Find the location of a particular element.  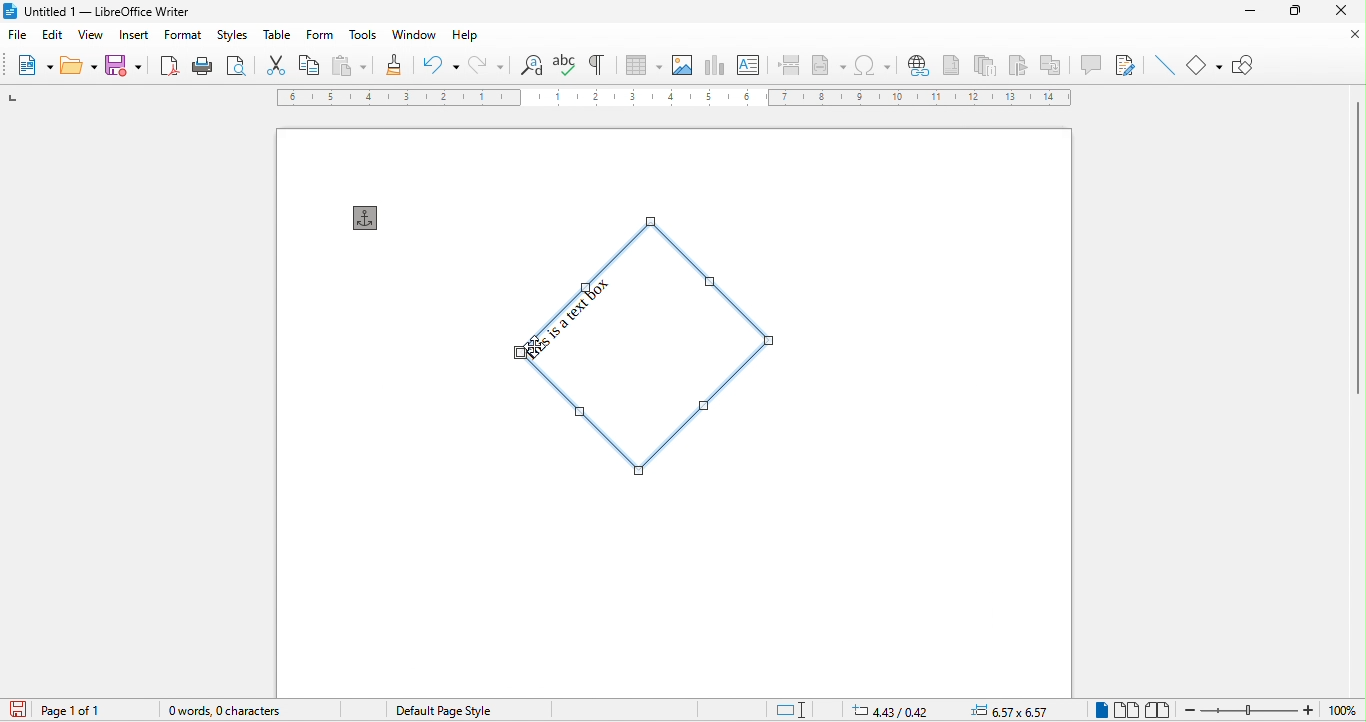

close is located at coordinates (1352, 35).